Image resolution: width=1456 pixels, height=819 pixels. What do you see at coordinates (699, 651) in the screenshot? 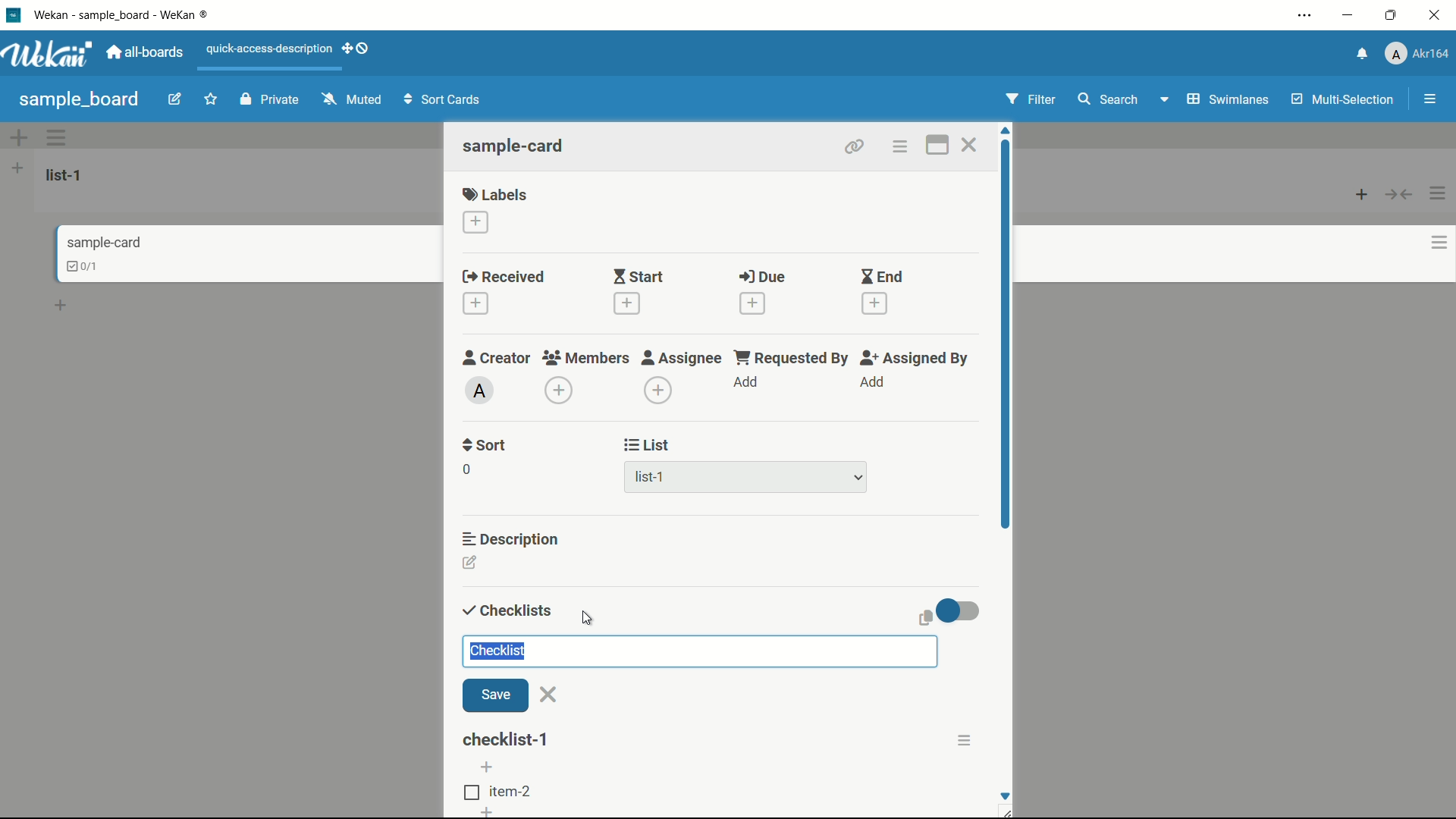
I see `item name input bar` at bounding box center [699, 651].